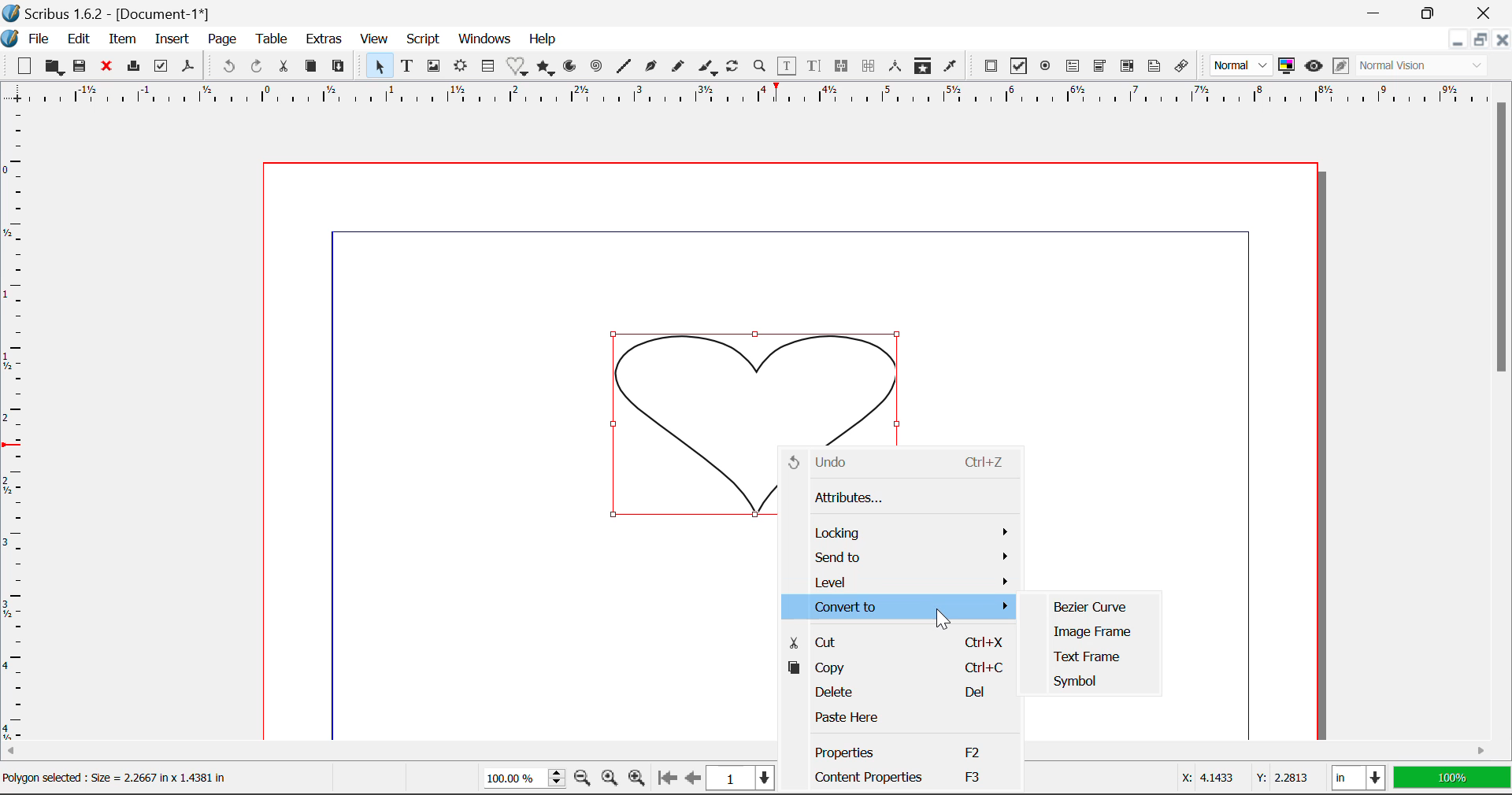 The image size is (1512, 795). I want to click on Normal Vision, so click(1424, 67).